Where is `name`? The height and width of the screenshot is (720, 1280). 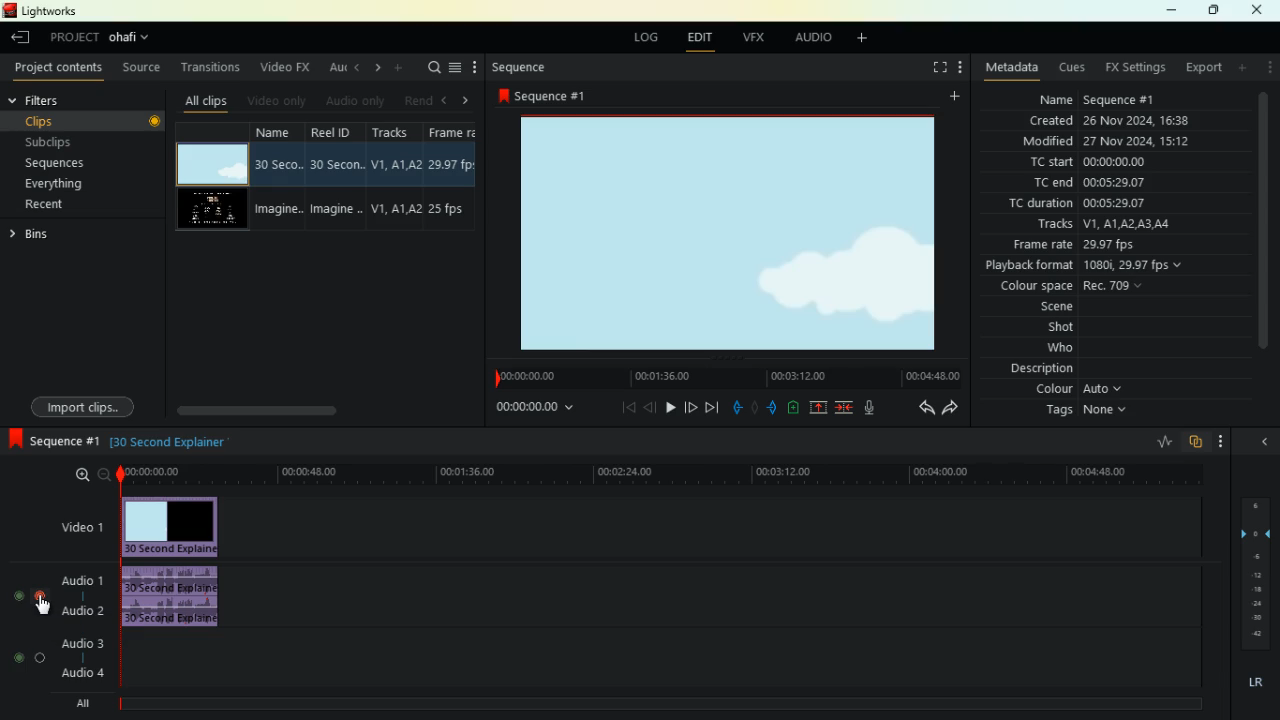
name is located at coordinates (278, 178).